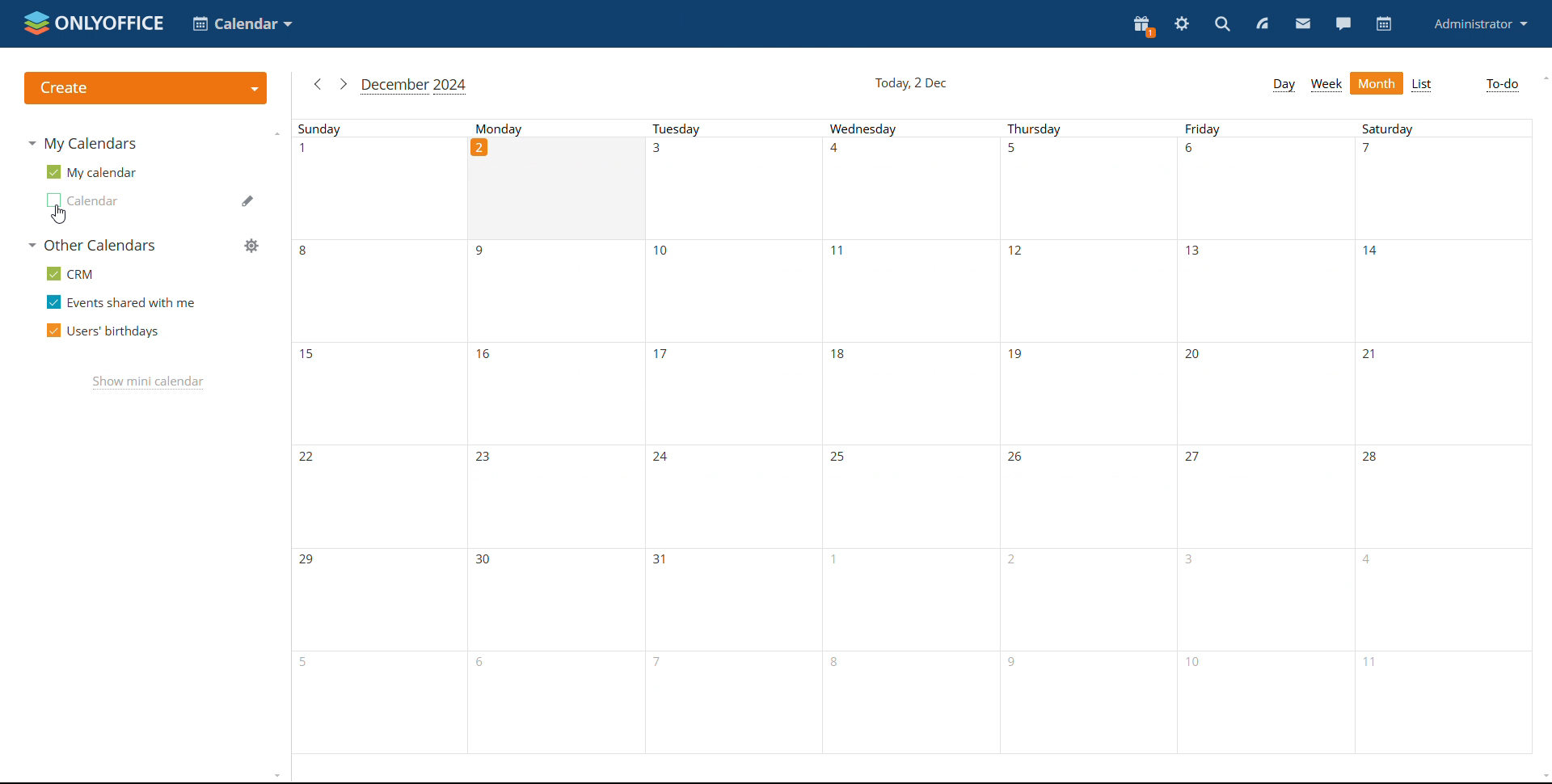 The height and width of the screenshot is (784, 1552). What do you see at coordinates (73, 275) in the screenshot?
I see `crm` at bounding box center [73, 275].